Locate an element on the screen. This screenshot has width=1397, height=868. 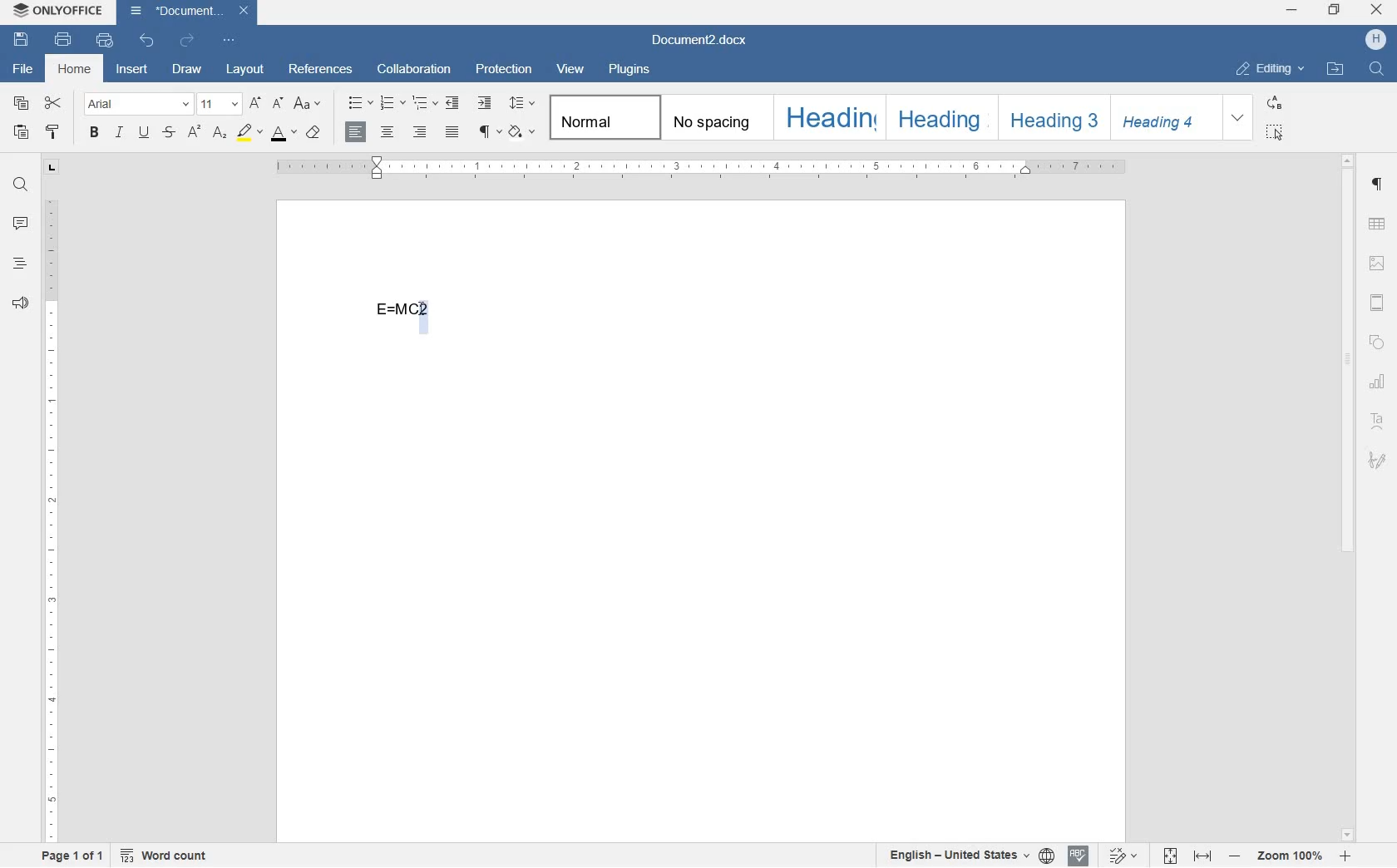
undo is located at coordinates (148, 45).